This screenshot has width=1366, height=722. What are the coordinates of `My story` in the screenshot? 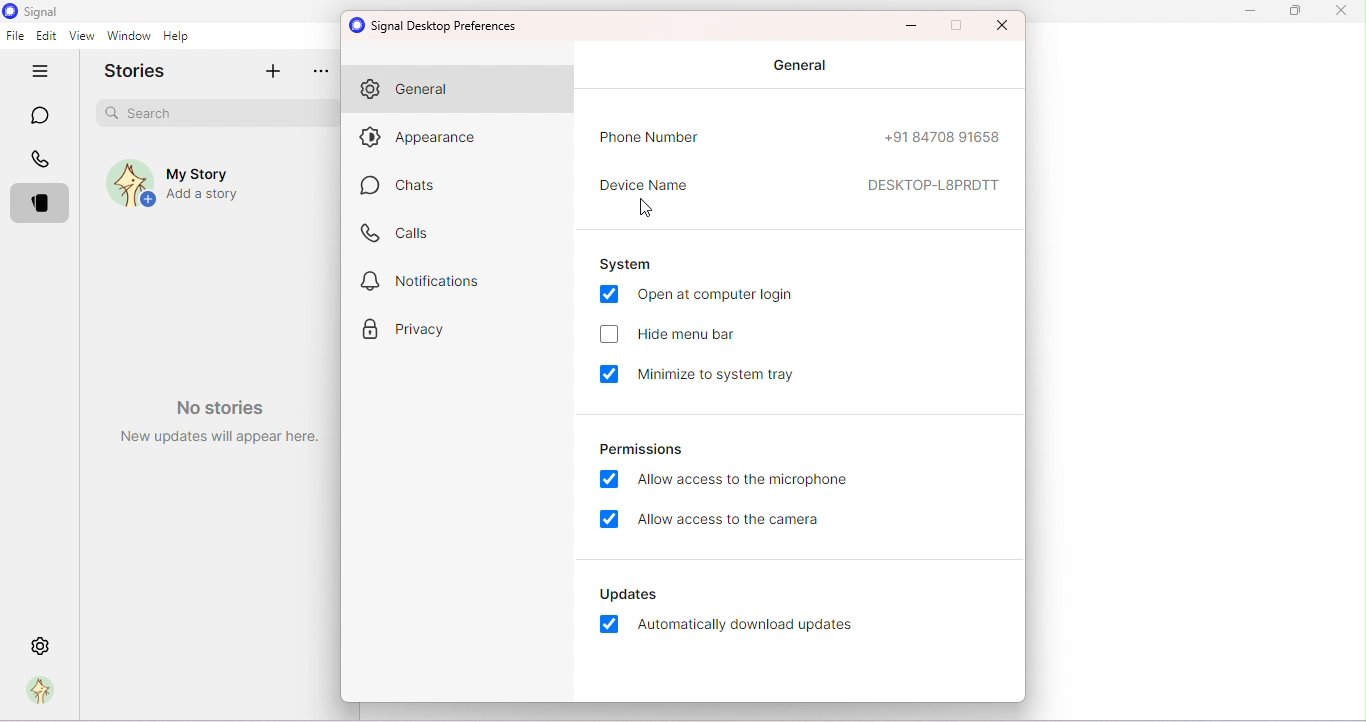 It's located at (182, 186).